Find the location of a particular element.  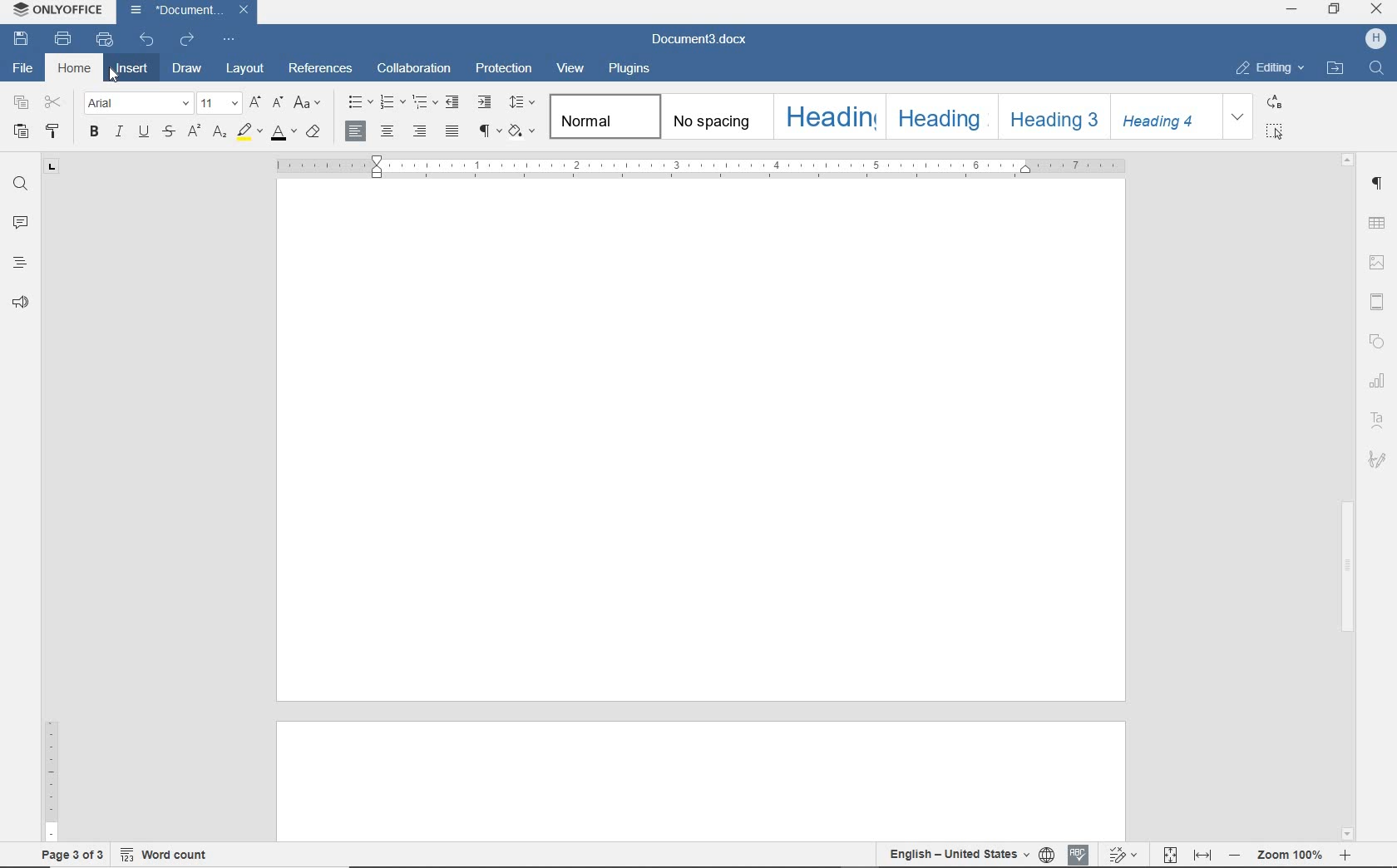

Signature is located at coordinates (1375, 462).